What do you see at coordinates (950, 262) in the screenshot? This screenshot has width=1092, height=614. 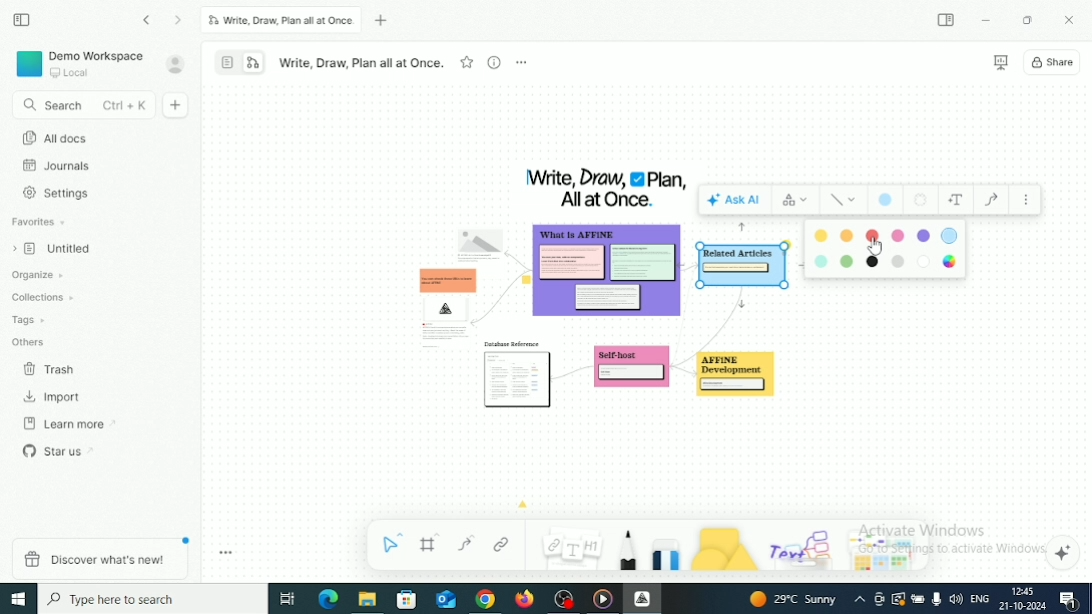 I see `Multicolor` at bounding box center [950, 262].